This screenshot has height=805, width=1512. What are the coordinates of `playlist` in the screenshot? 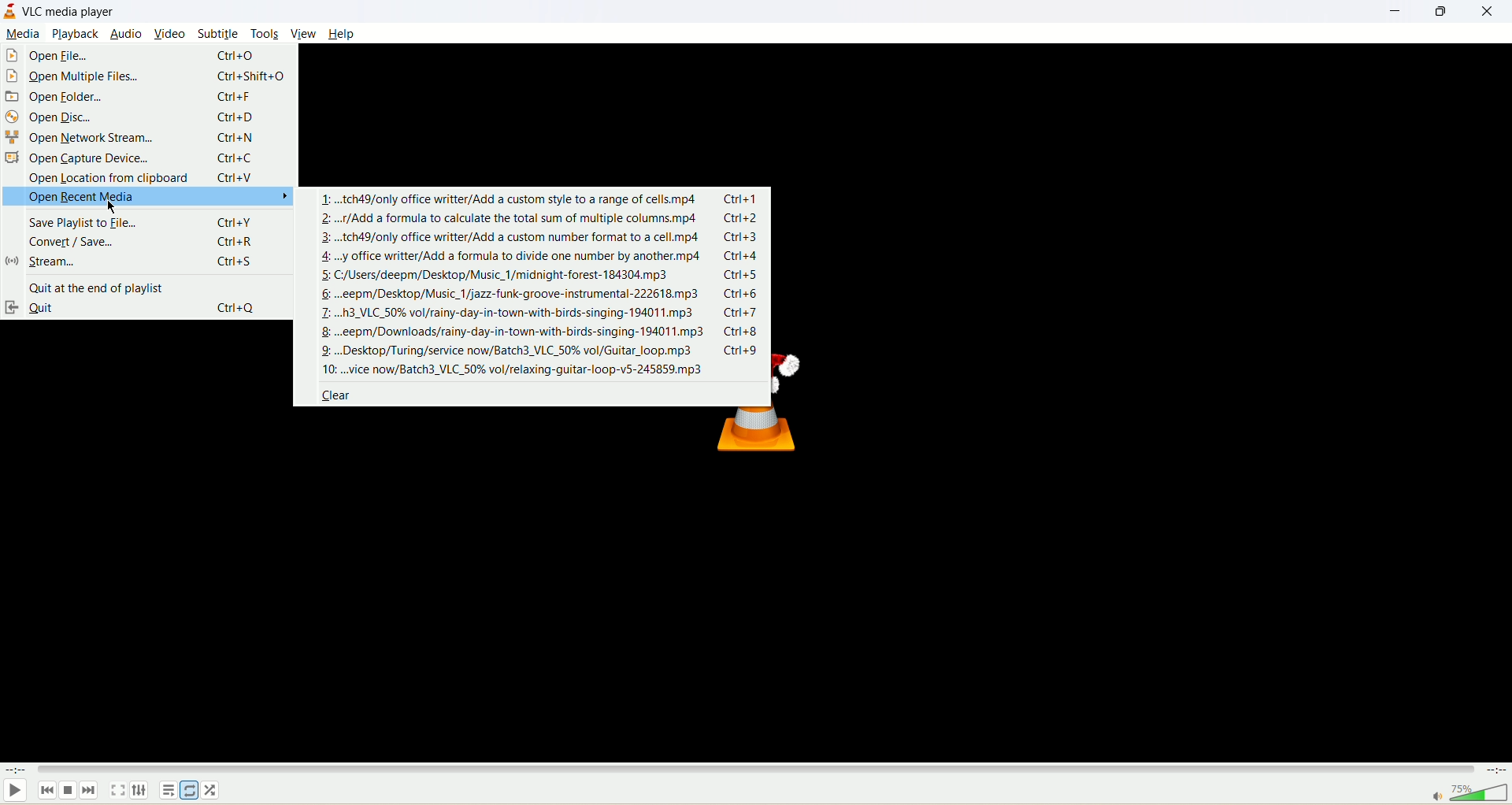 It's located at (169, 792).